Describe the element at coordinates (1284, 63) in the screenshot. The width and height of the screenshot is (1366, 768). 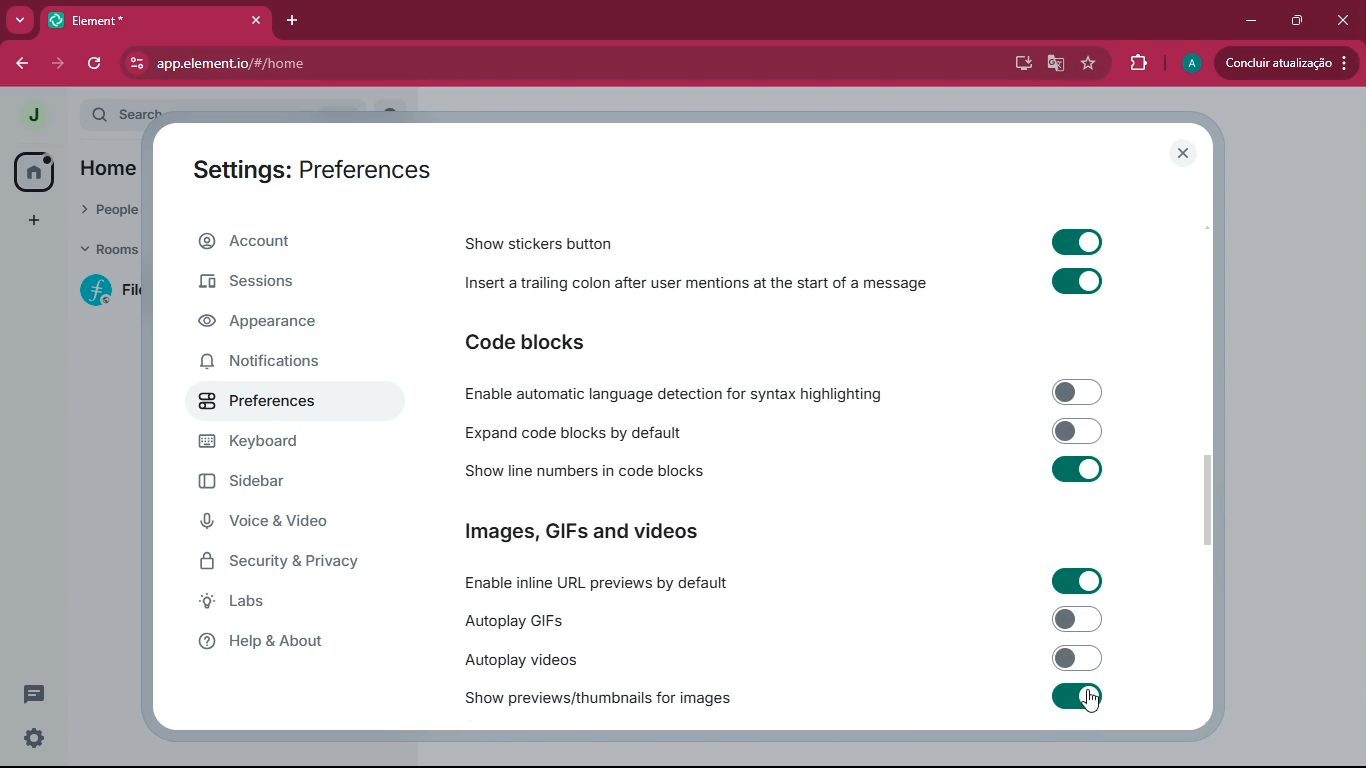
I see `Conduir atualizacado` at that location.